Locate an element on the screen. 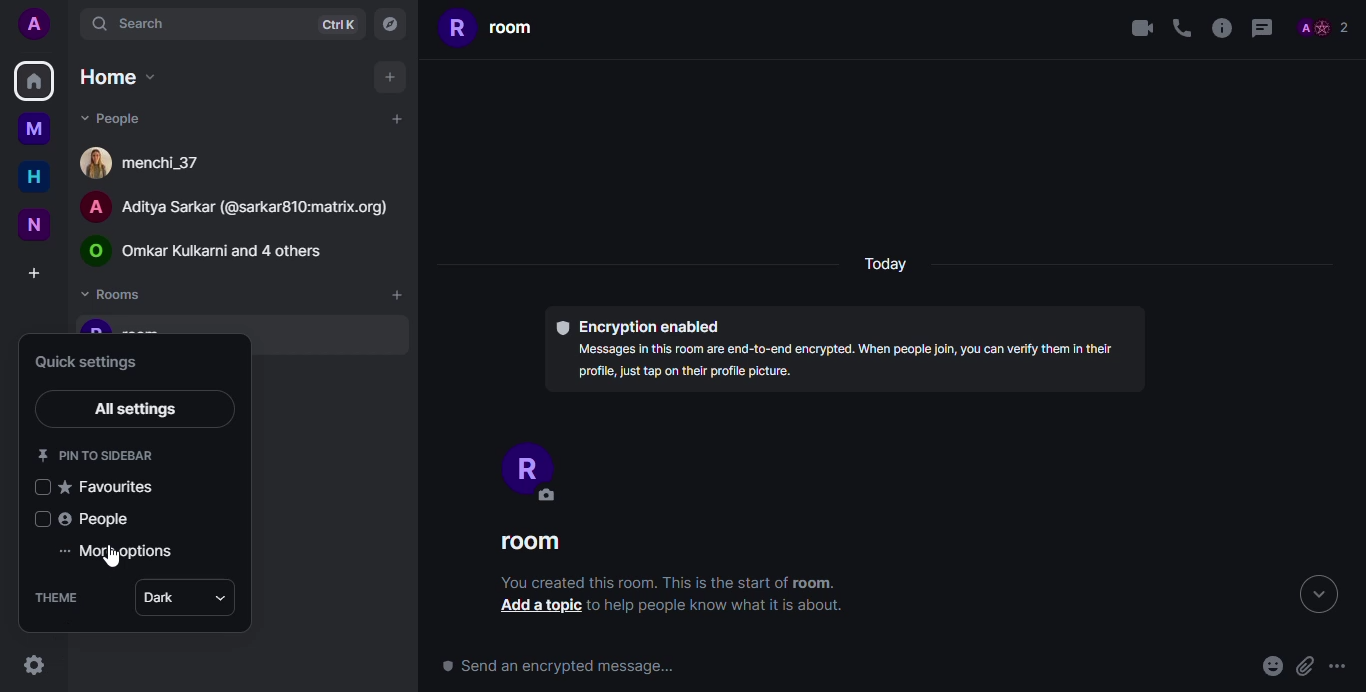  rooms dropdown is located at coordinates (215, 249).